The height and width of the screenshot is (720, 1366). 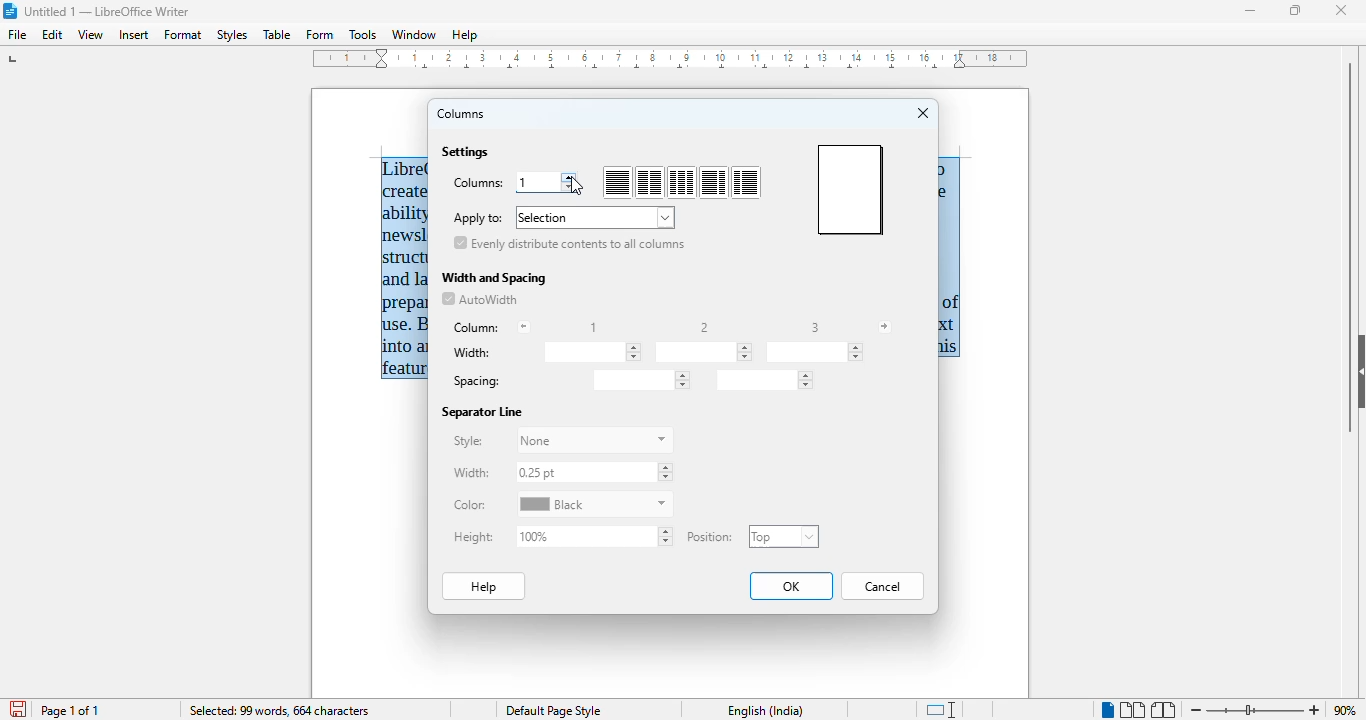 What do you see at coordinates (784, 536) in the screenshot?
I see `top` at bounding box center [784, 536].